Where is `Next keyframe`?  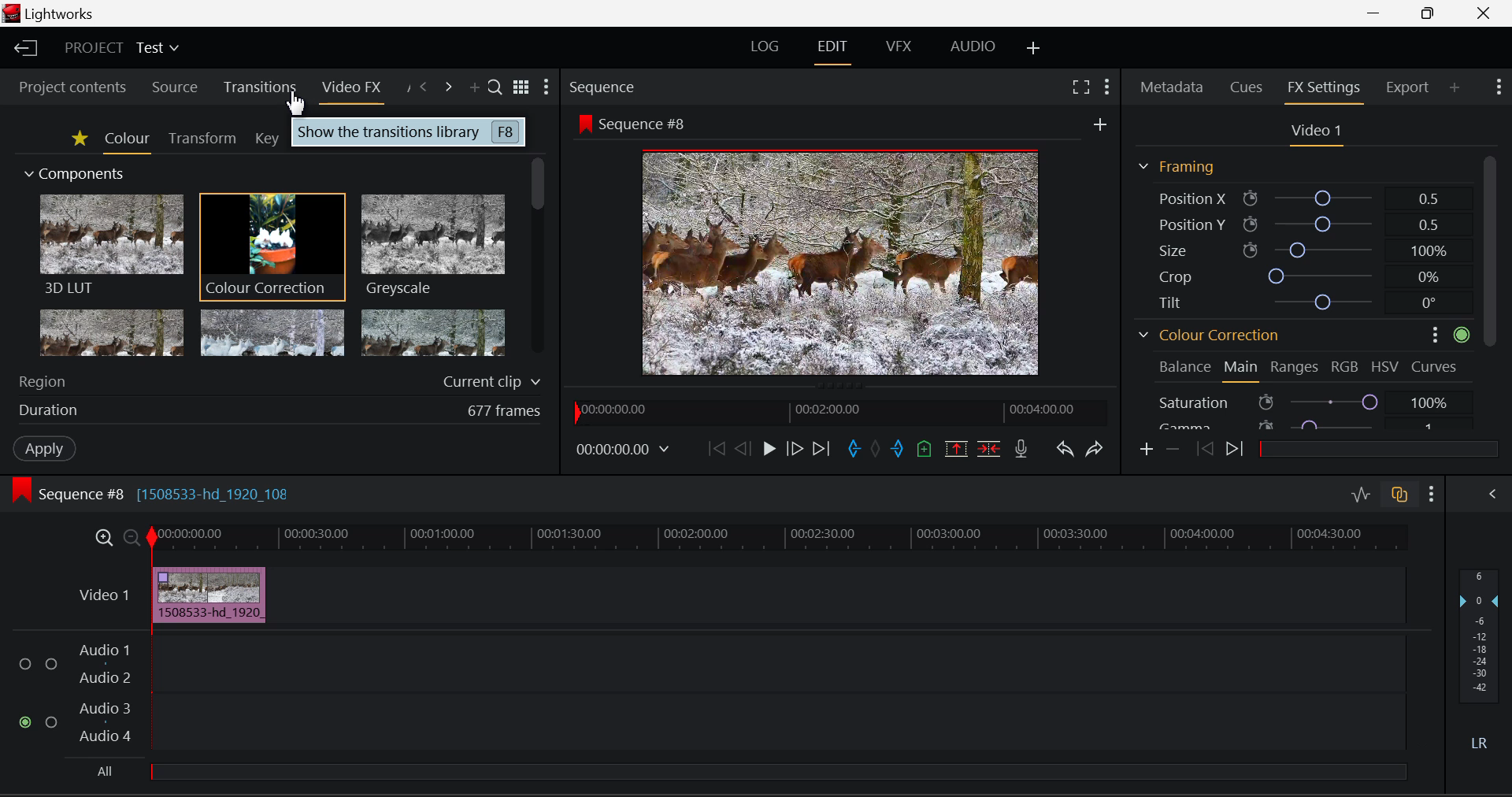 Next keyframe is located at coordinates (1235, 450).